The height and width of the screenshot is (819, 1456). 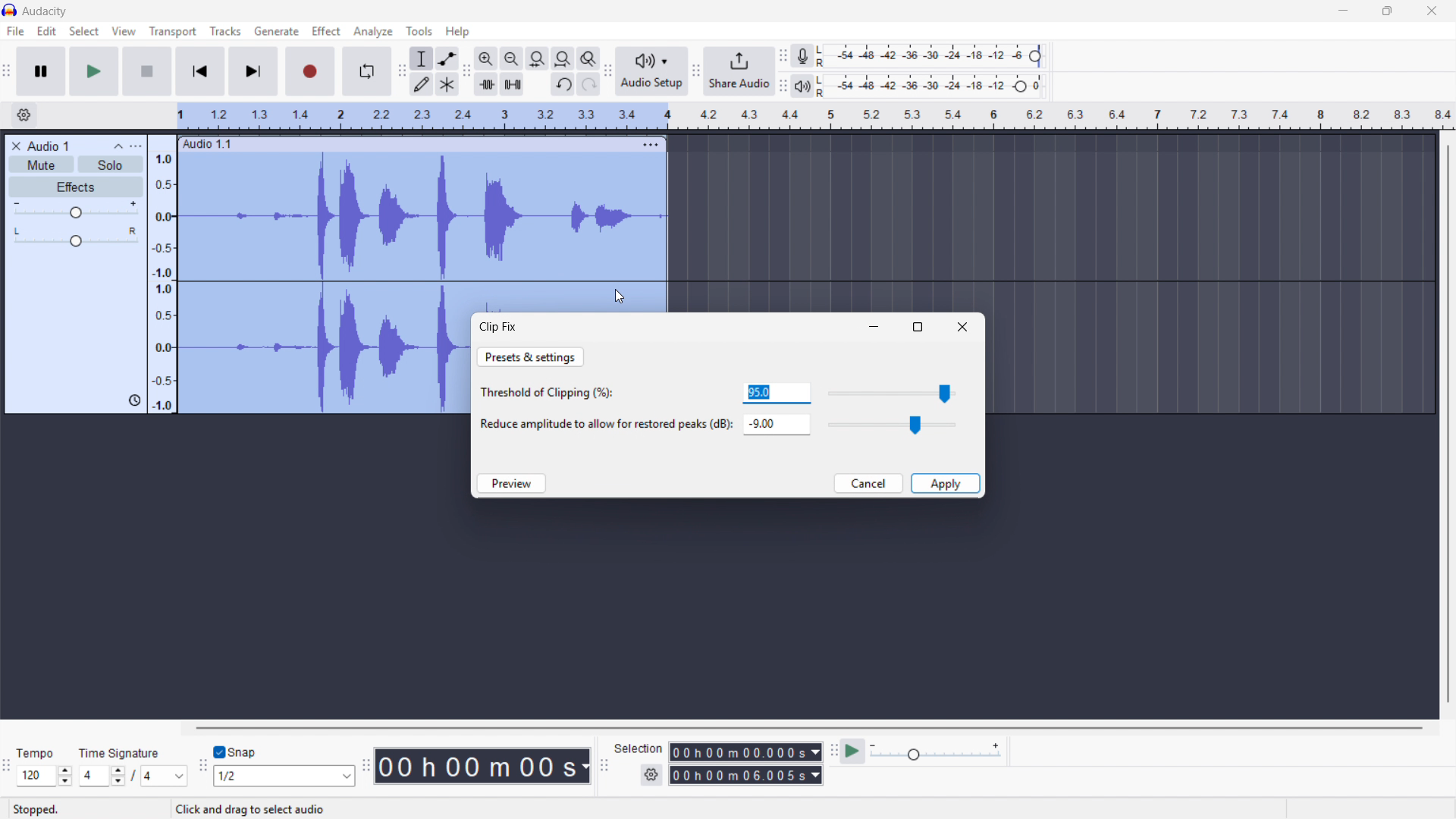 I want to click on Draw tool, so click(x=422, y=83).